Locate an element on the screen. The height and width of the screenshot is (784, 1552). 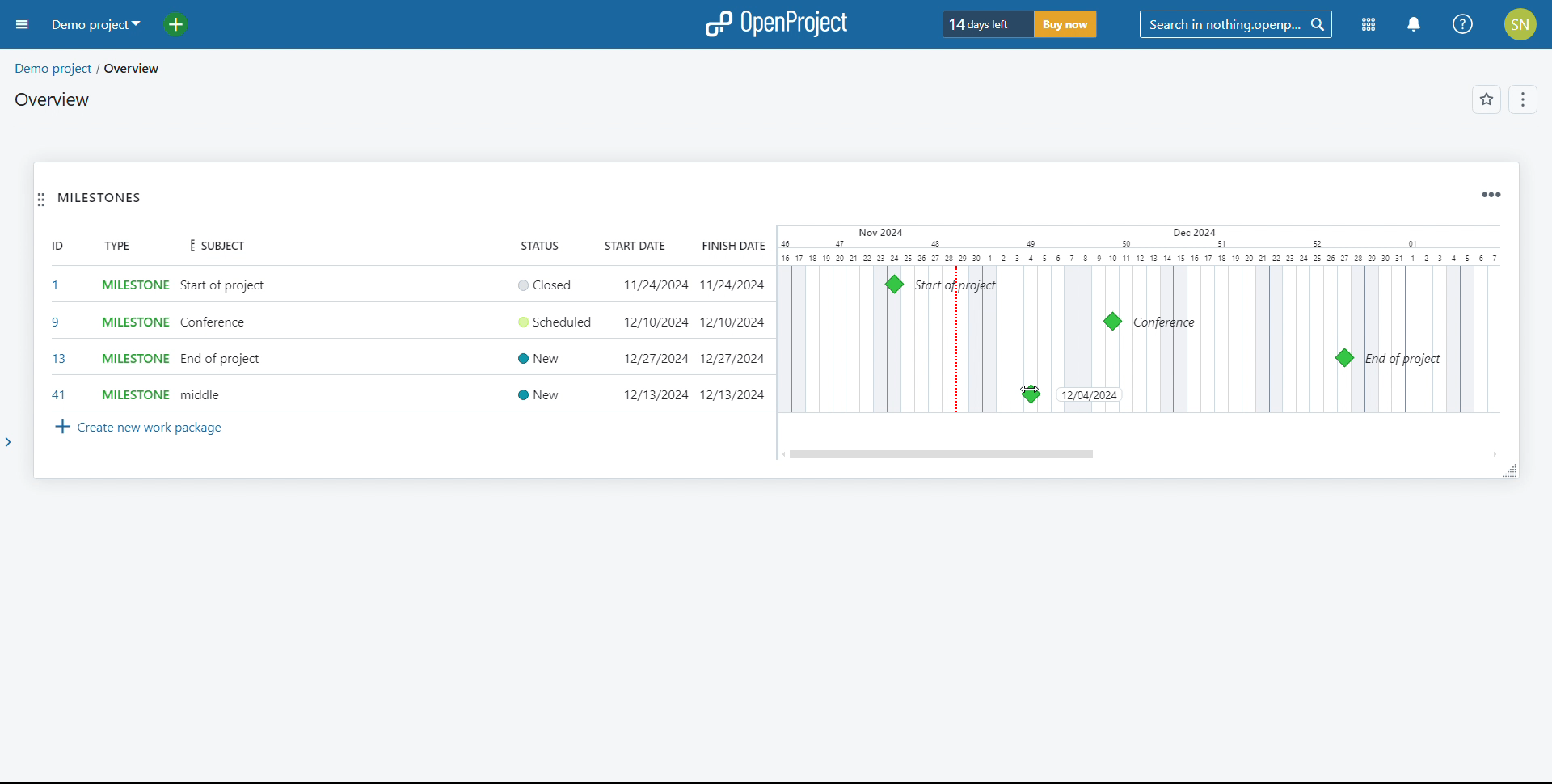
logo is located at coordinates (778, 23).